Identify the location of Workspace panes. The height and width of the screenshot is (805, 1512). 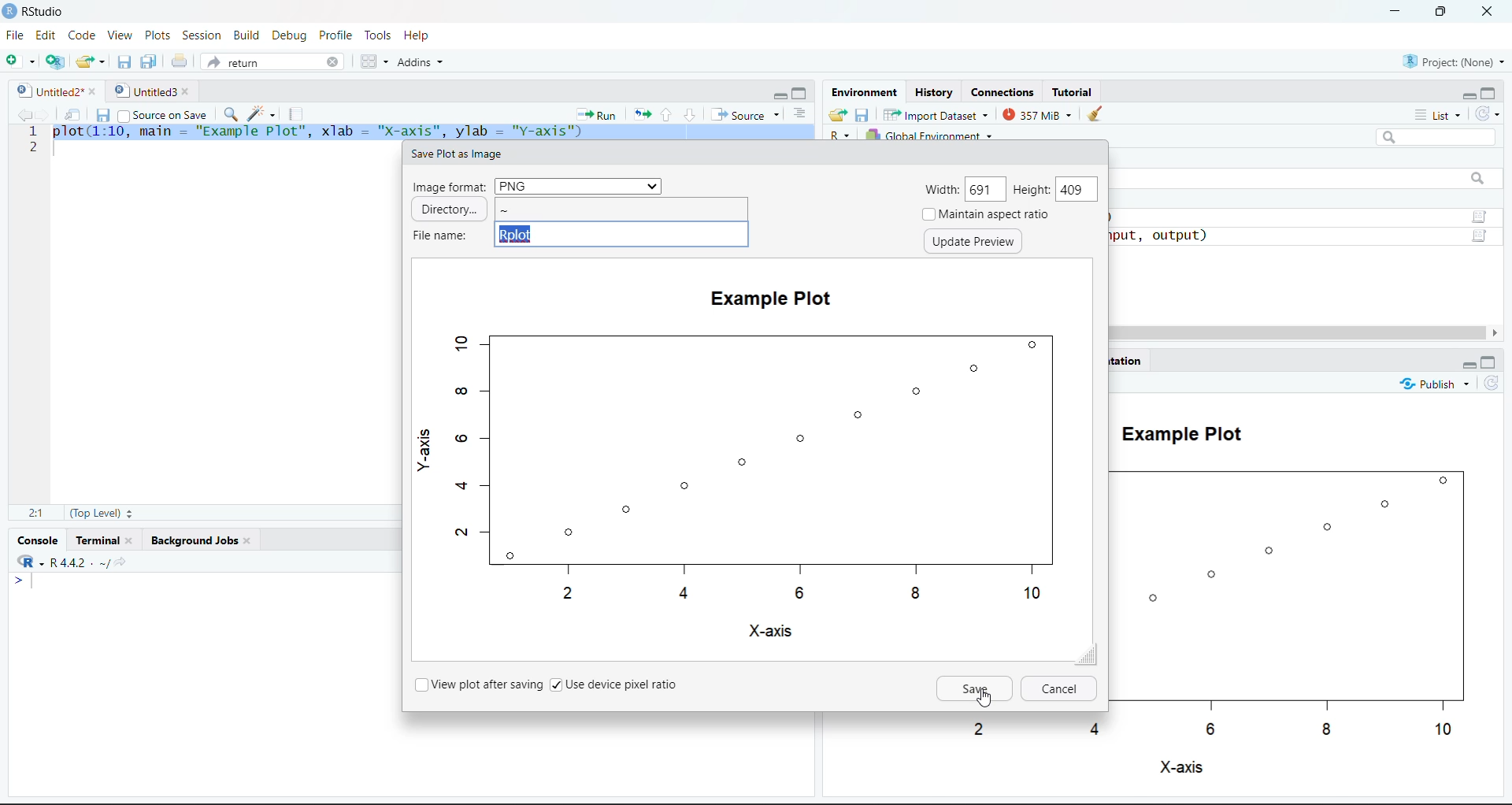
(372, 61).